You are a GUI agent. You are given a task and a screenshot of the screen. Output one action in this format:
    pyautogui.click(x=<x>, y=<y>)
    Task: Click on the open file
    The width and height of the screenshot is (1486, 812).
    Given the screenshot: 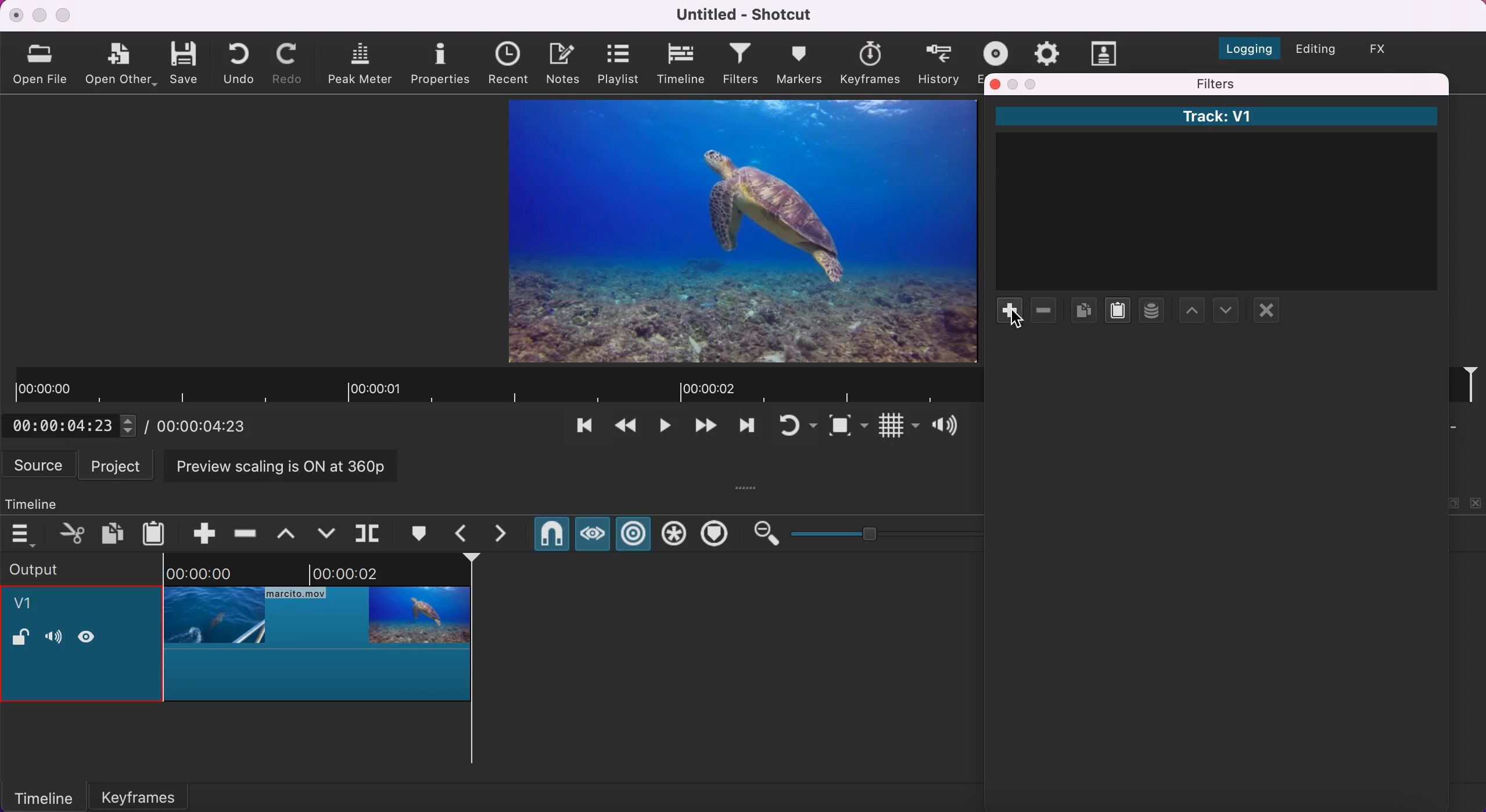 What is the action you would take?
    pyautogui.click(x=43, y=63)
    